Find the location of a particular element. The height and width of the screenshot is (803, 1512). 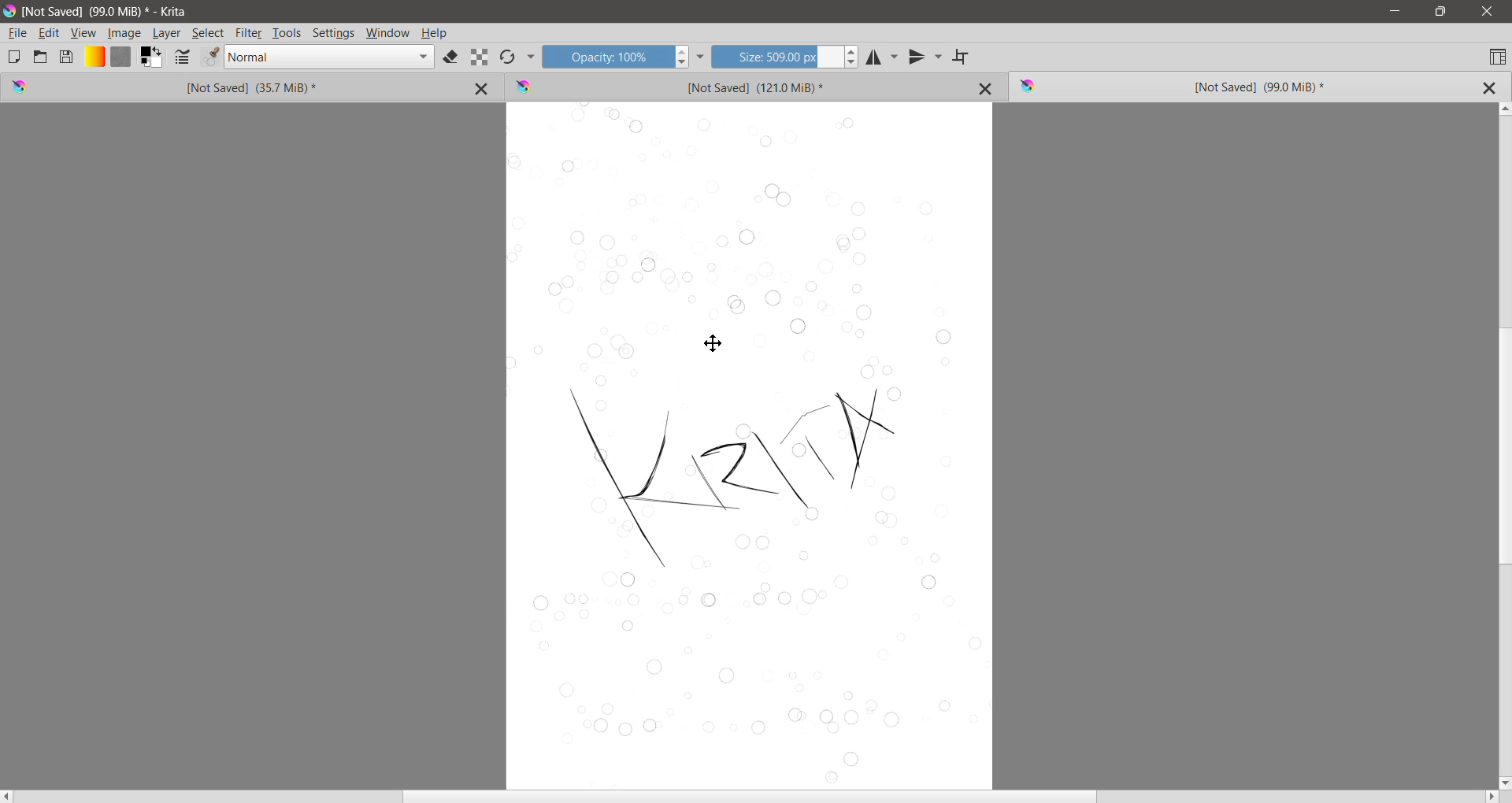

Help is located at coordinates (434, 34).